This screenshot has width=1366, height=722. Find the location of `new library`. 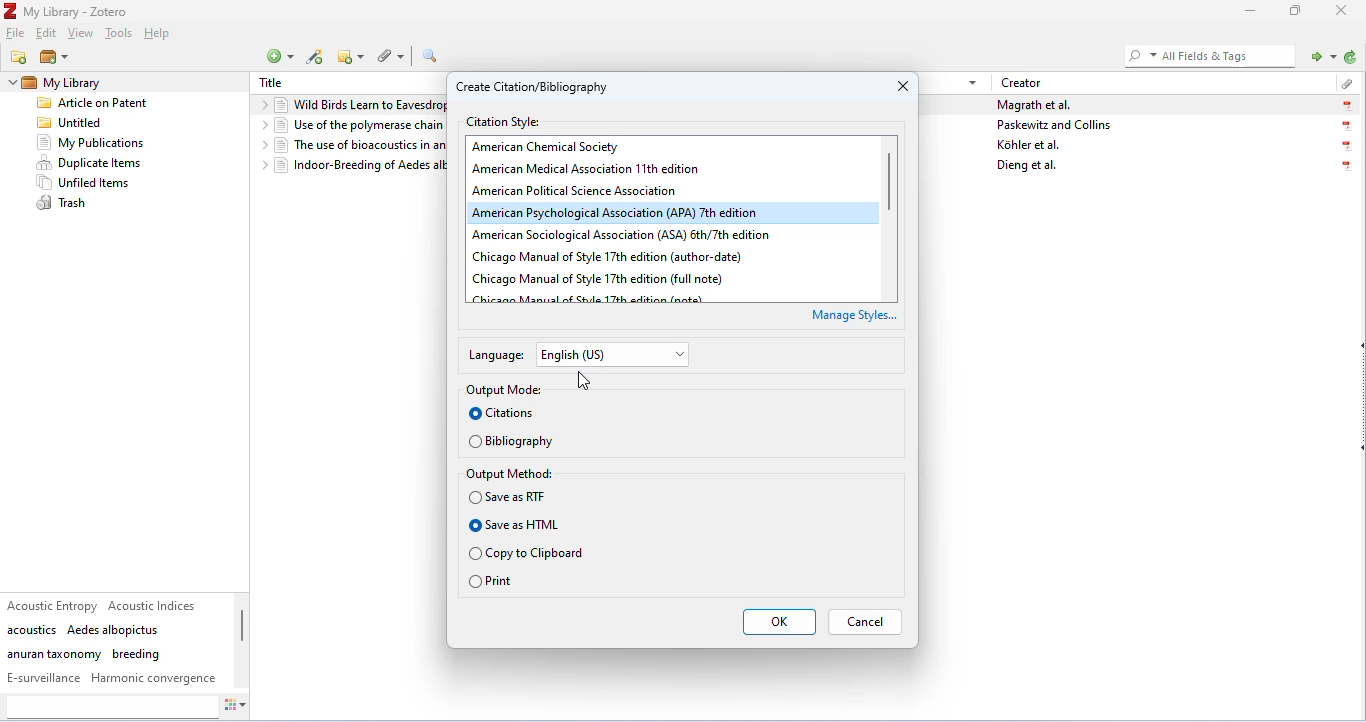

new library is located at coordinates (55, 58).